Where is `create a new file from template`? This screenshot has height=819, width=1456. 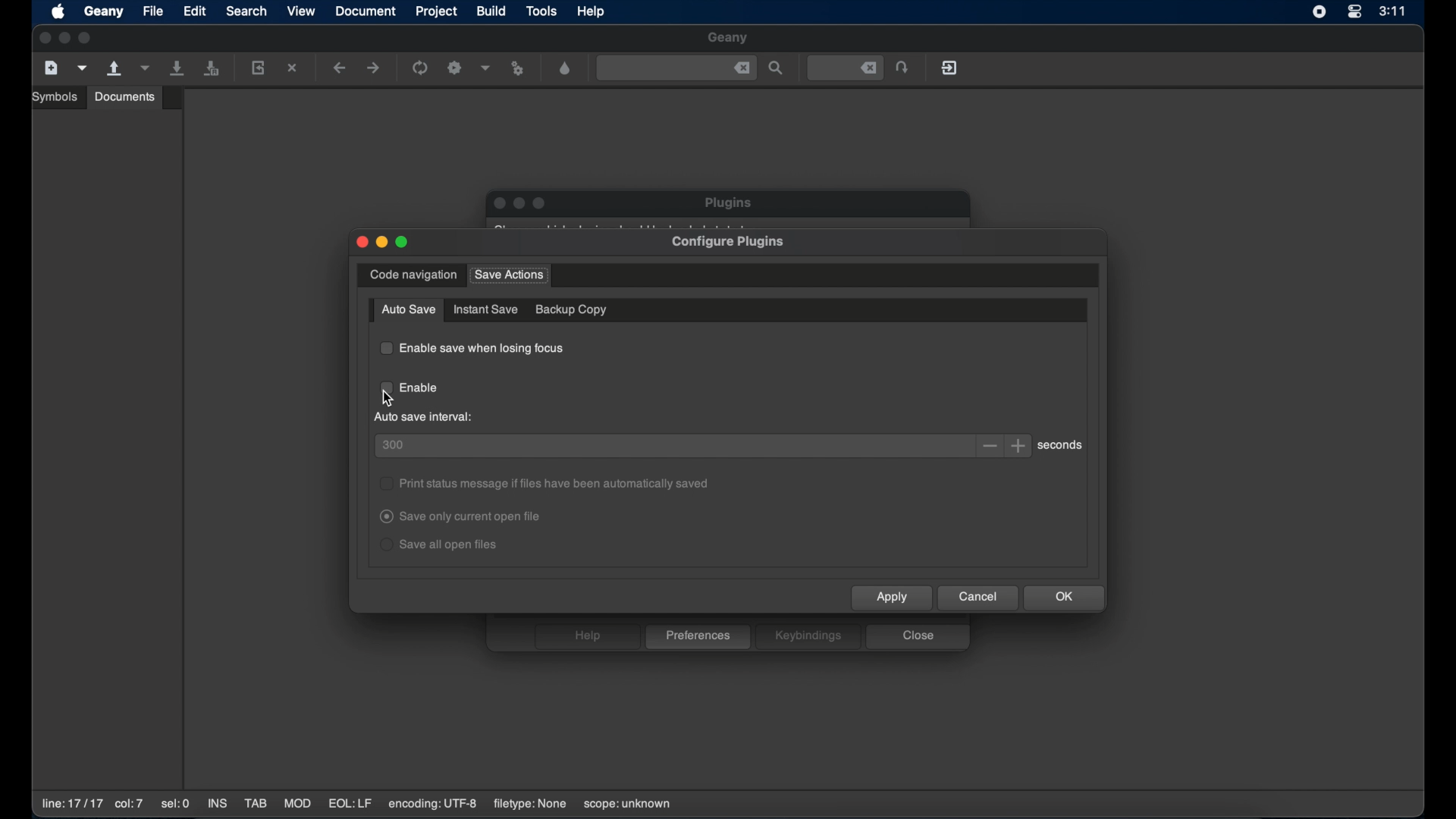 create a new file from template is located at coordinates (83, 68).